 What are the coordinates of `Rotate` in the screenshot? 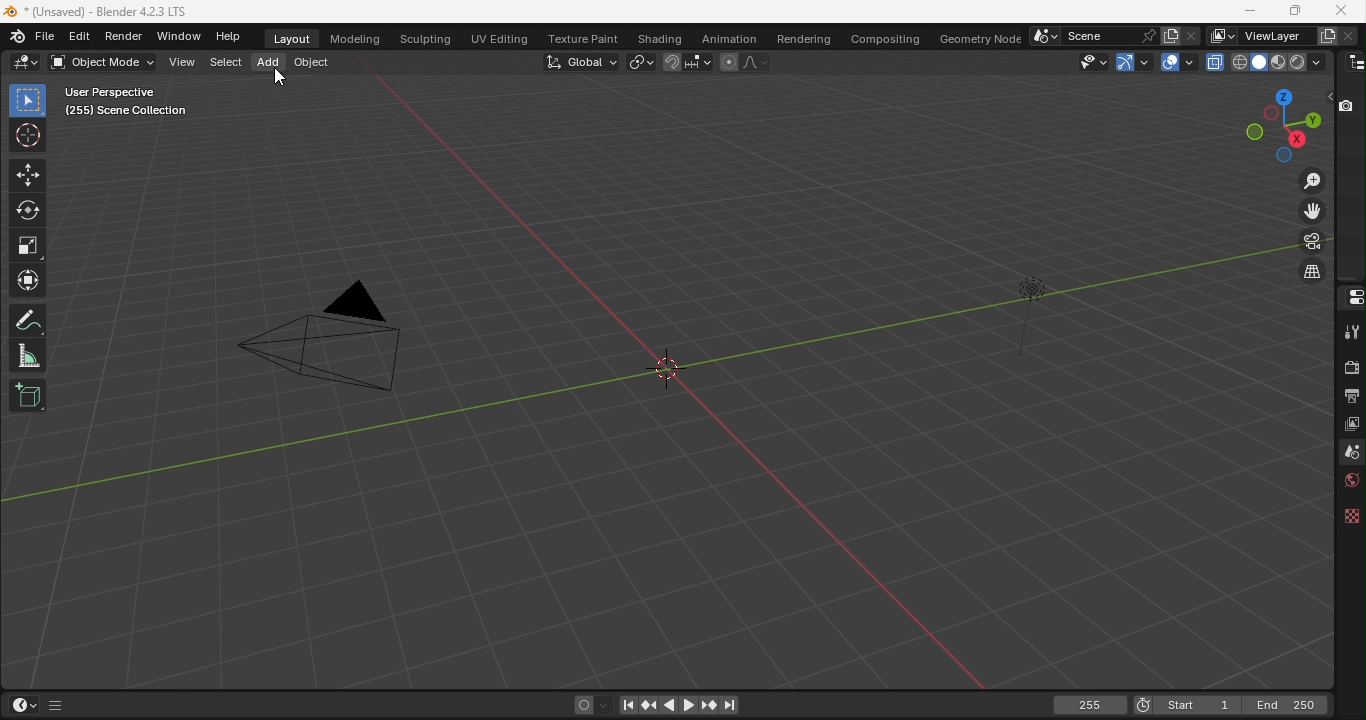 It's located at (26, 211).